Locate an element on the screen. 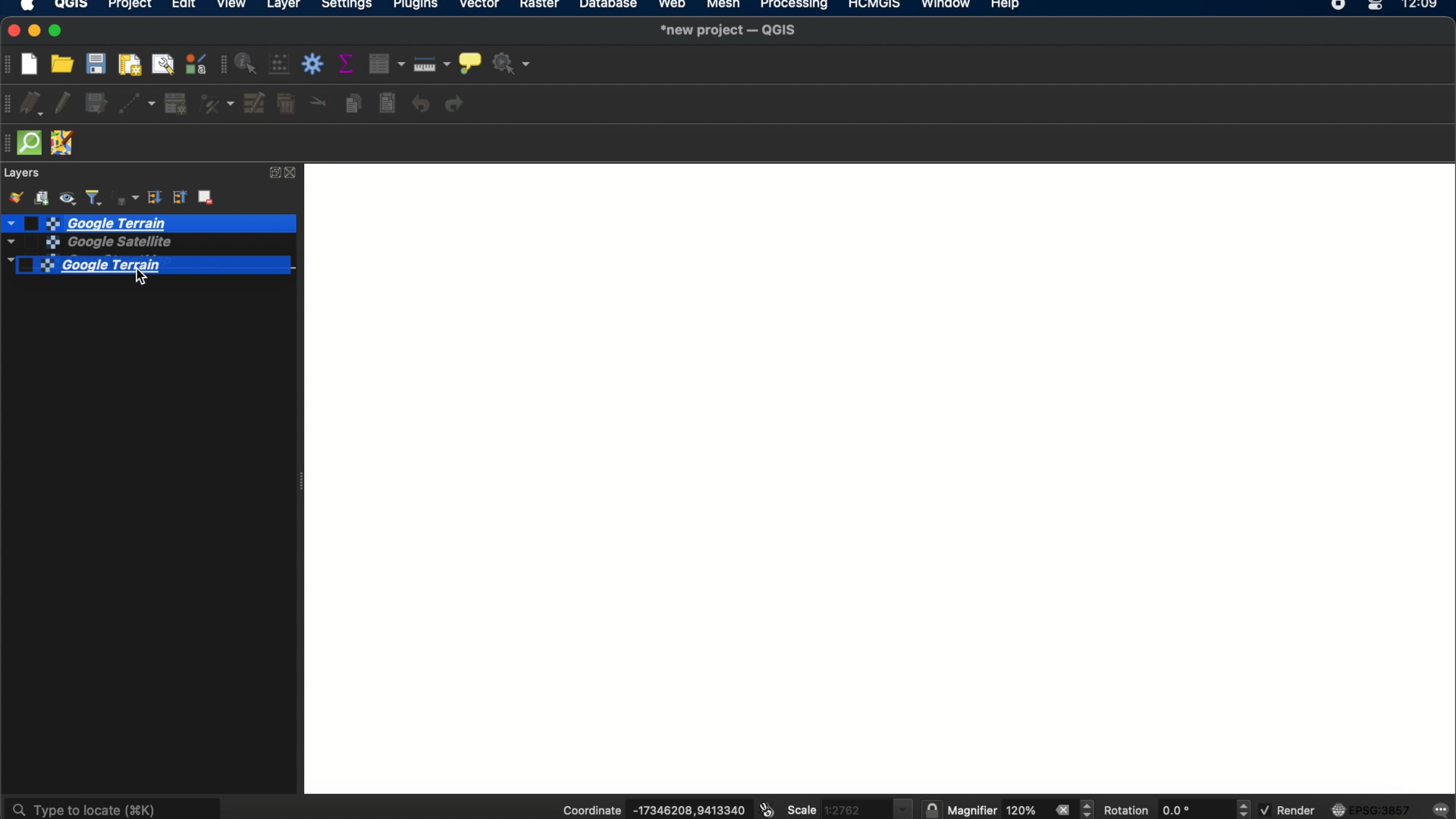 This screenshot has width=1456, height=819. rotation is located at coordinates (1244, 809).